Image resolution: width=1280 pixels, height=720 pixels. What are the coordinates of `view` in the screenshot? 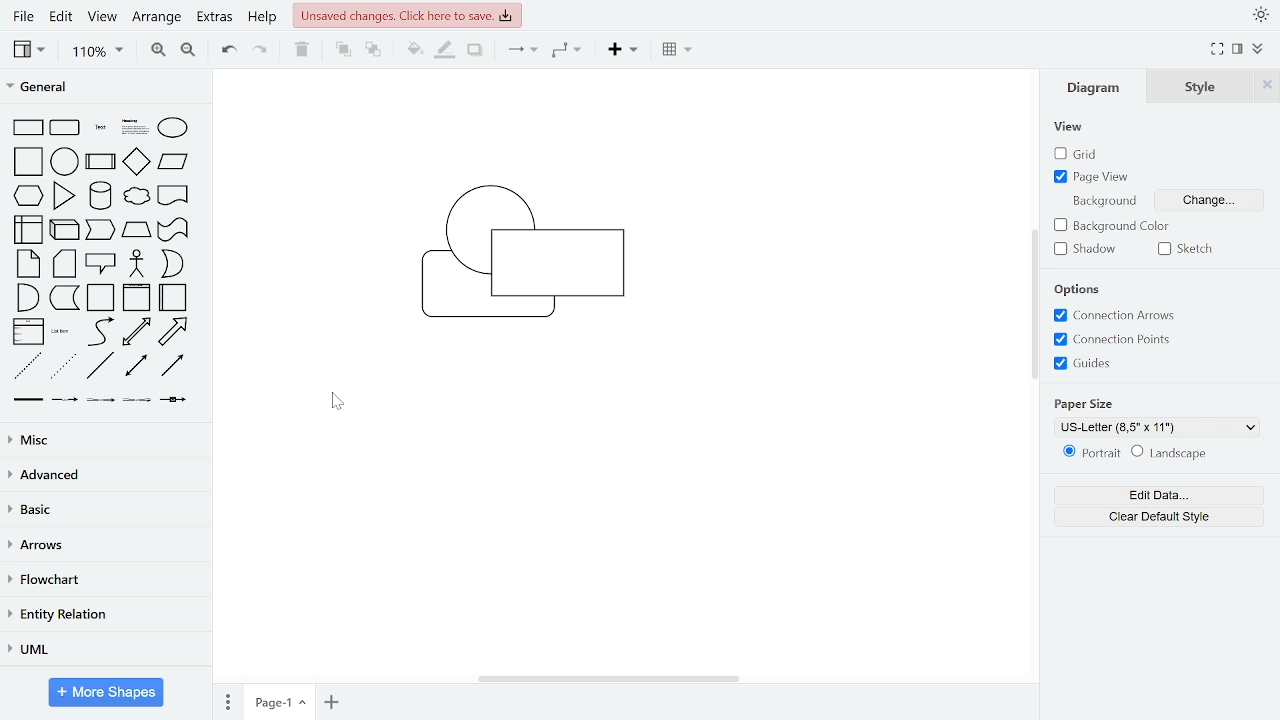 It's located at (102, 17).